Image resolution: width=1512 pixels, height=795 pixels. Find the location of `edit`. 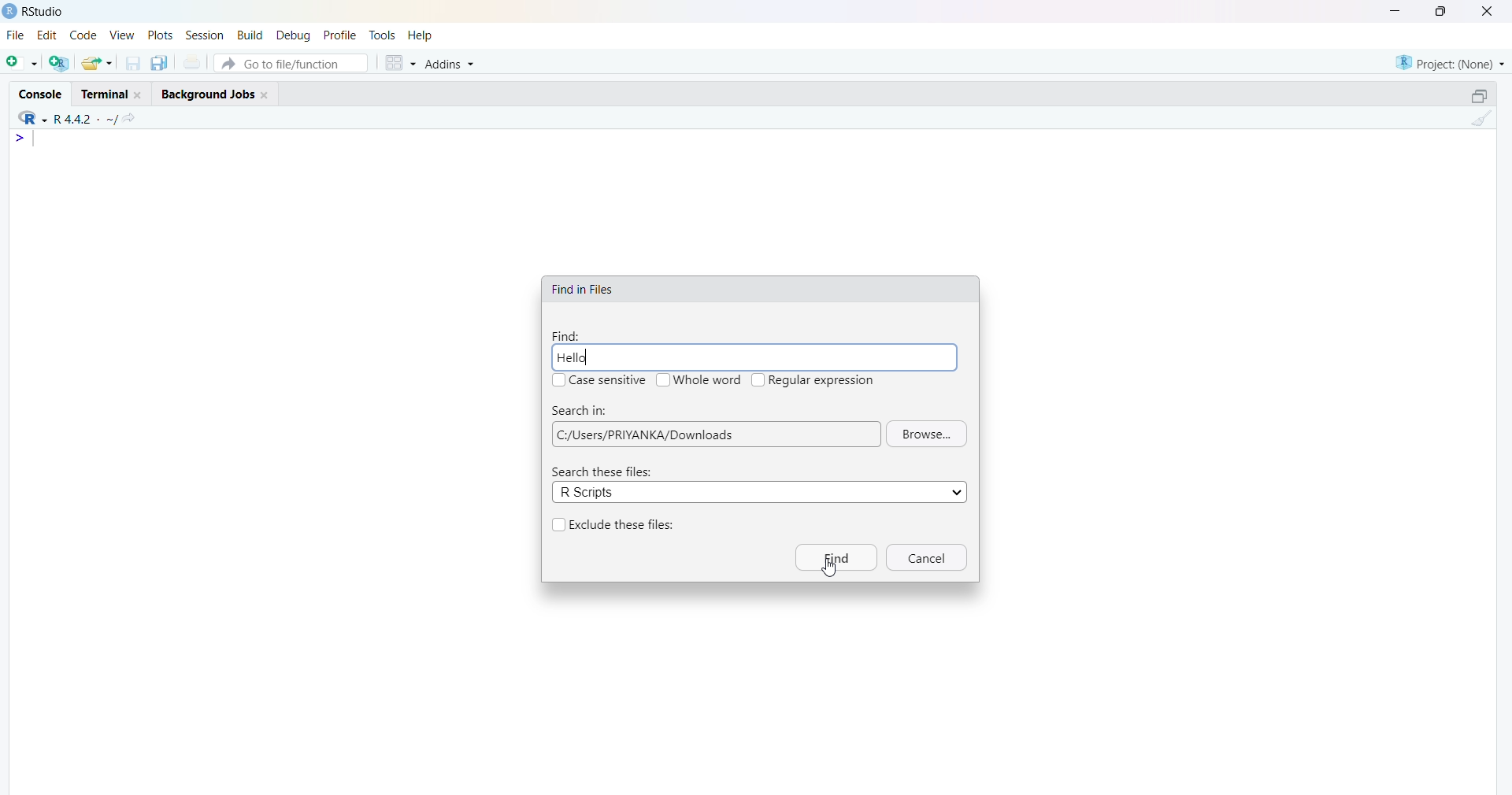

edit is located at coordinates (47, 35).